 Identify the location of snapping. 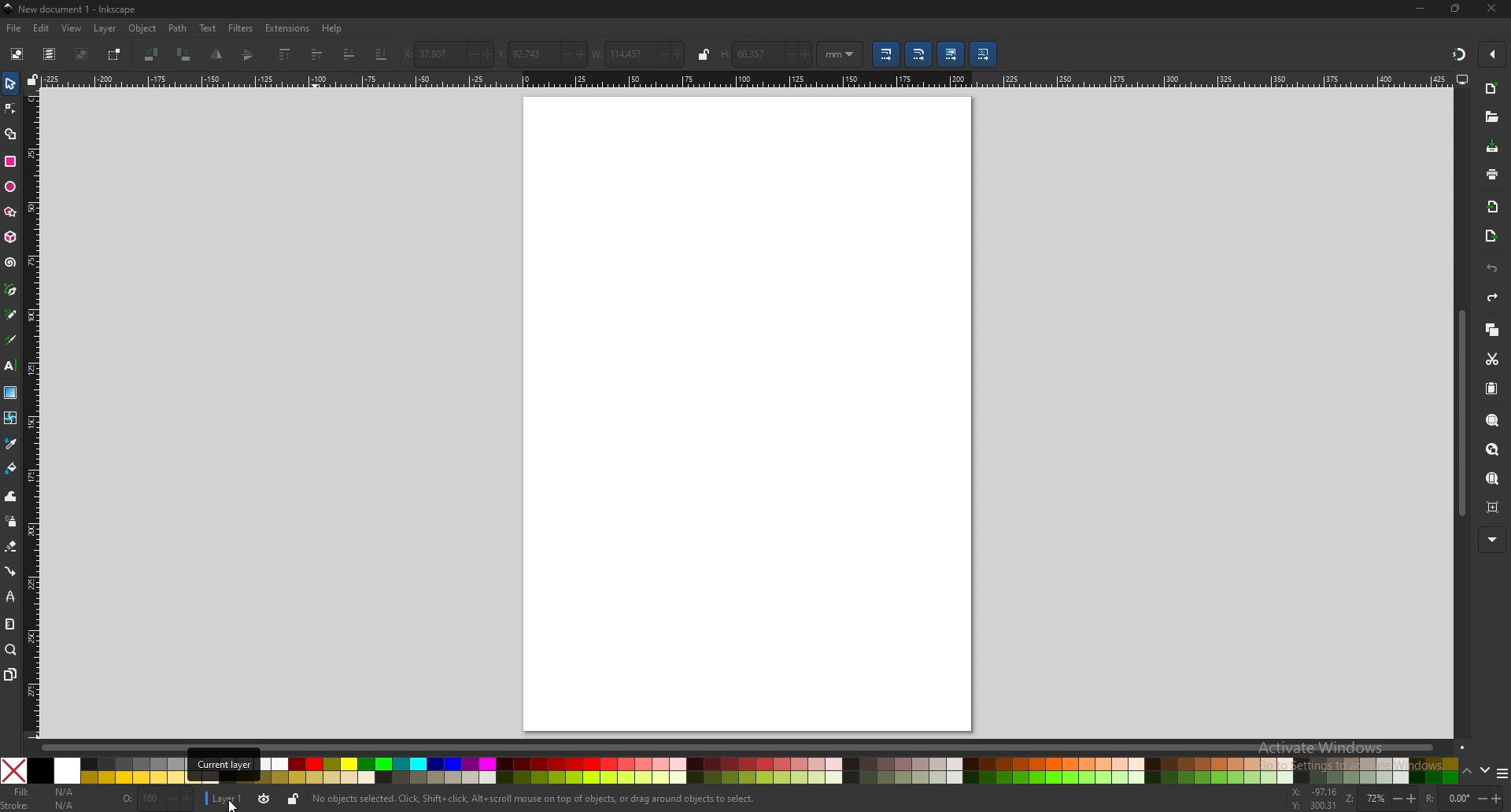
(1460, 54).